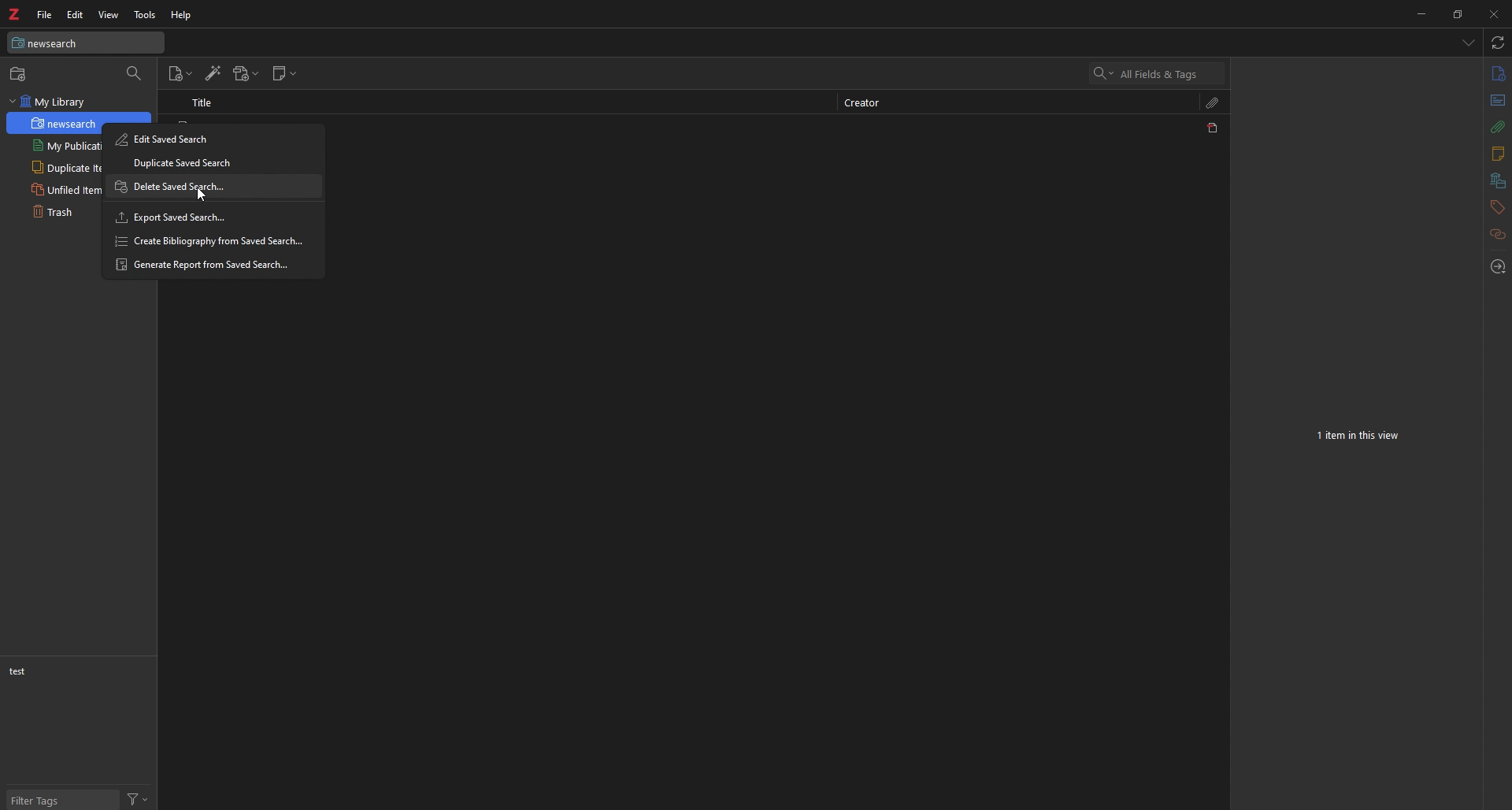 The image size is (1512, 810). Describe the element at coordinates (1166, 74) in the screenshot. I see `search input` at that location.